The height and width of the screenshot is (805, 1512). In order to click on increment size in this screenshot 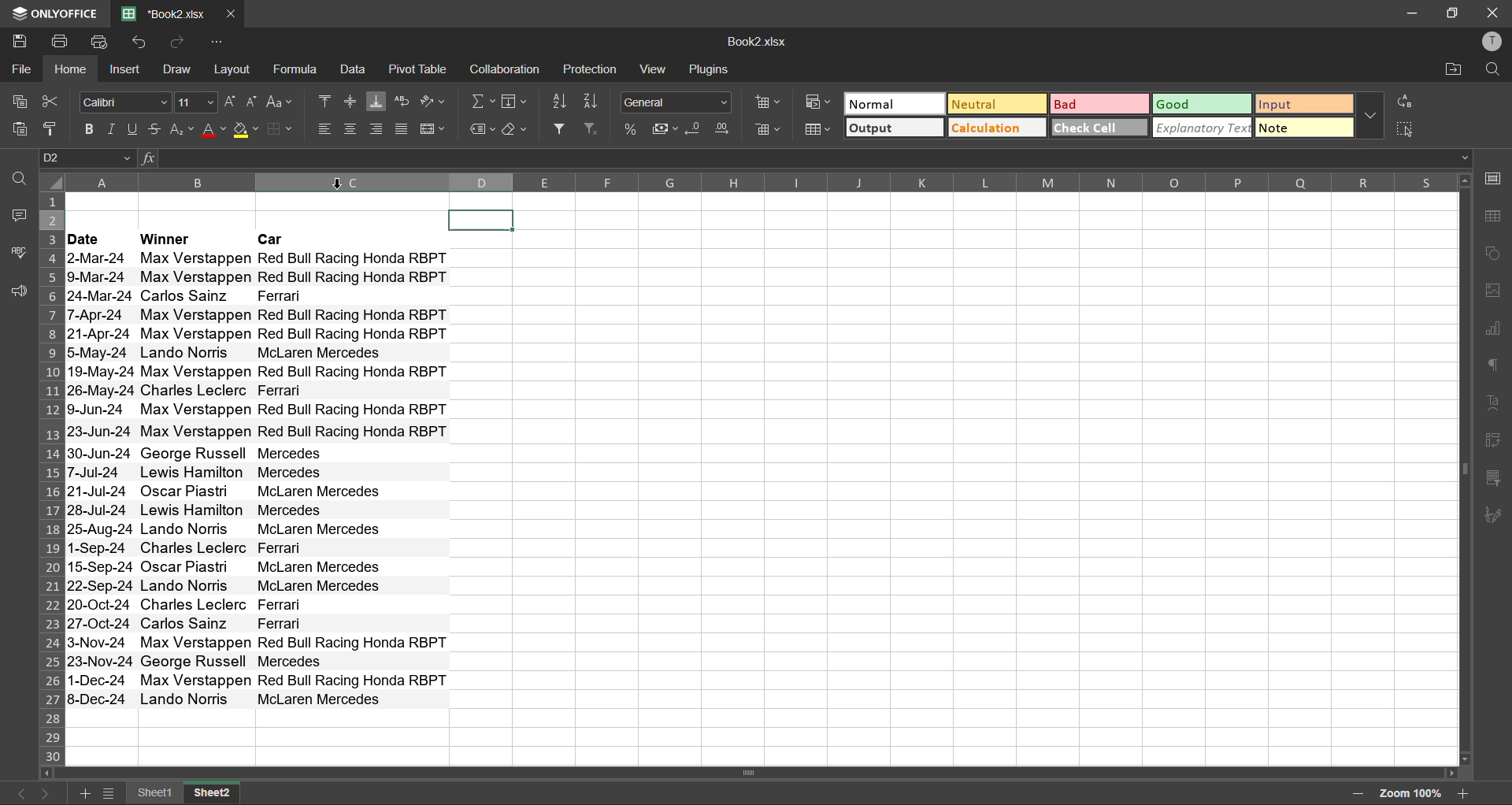, I will do `click(233, 102)`.